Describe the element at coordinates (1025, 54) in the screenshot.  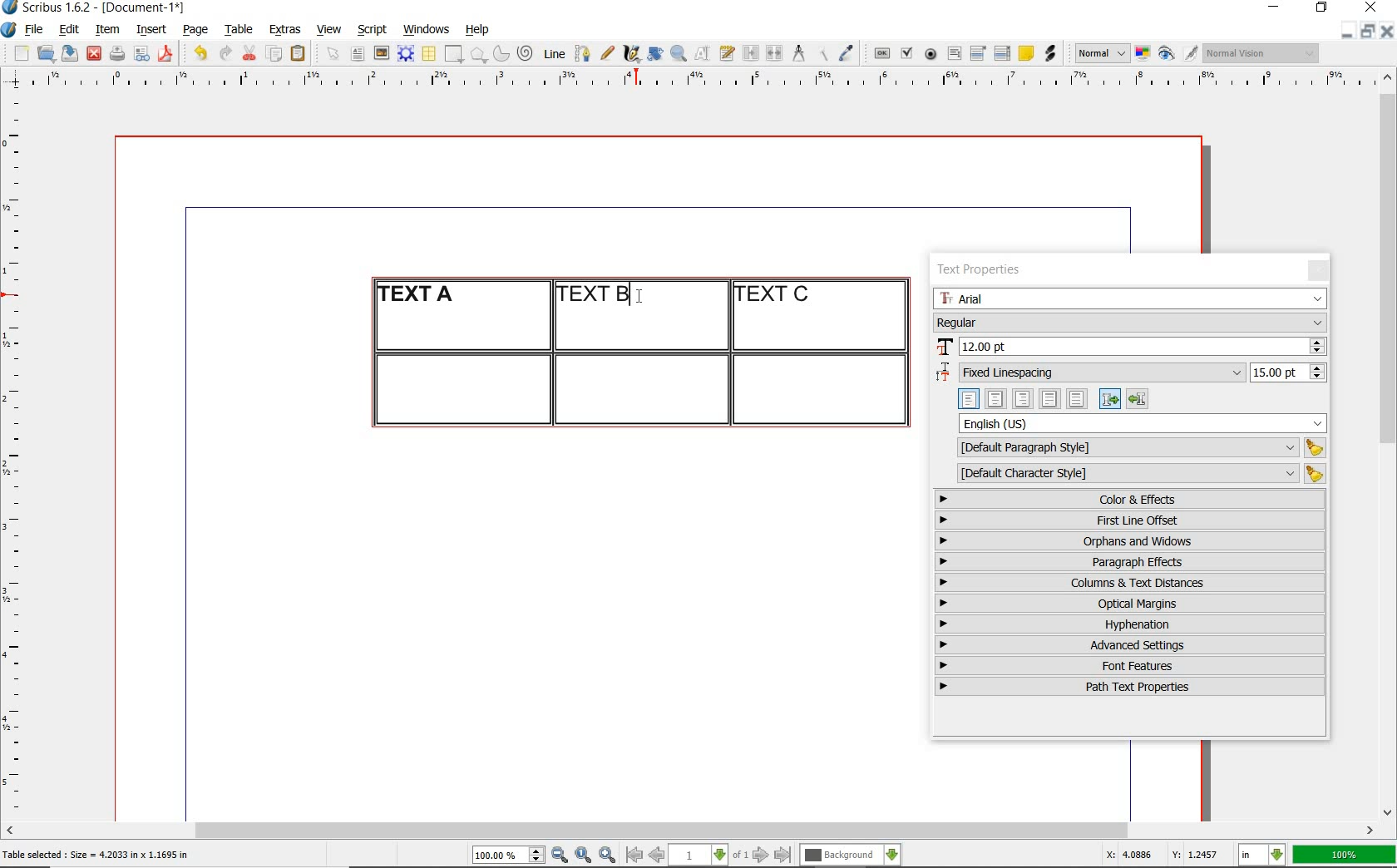
I see `text annotation` at that location.